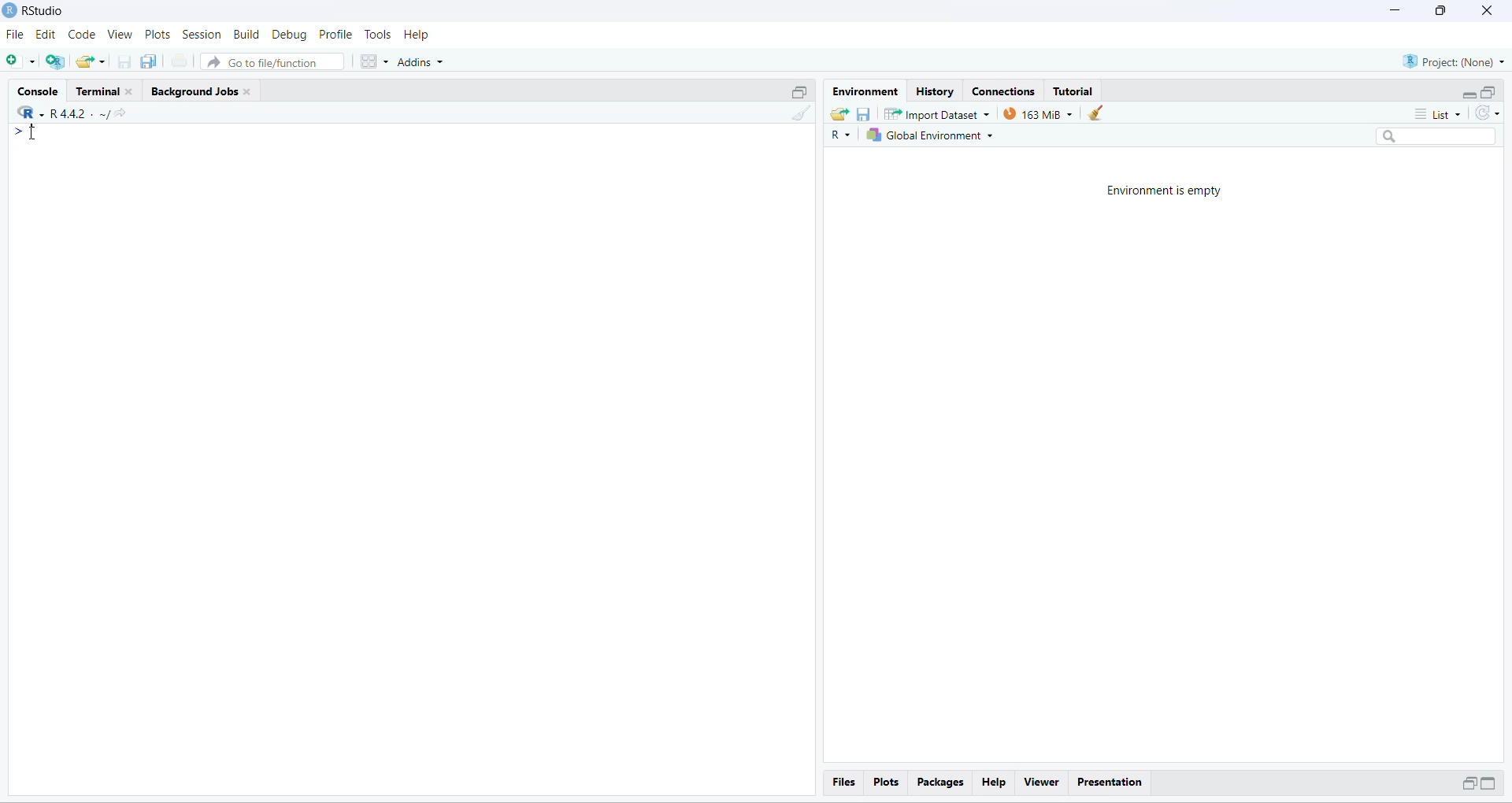 This screenshot has width=1512, height=803. What do you see at coordinates (1455, 61) in the screenshot?
I see `Project: (None)` at bounding box center [1455, 61].